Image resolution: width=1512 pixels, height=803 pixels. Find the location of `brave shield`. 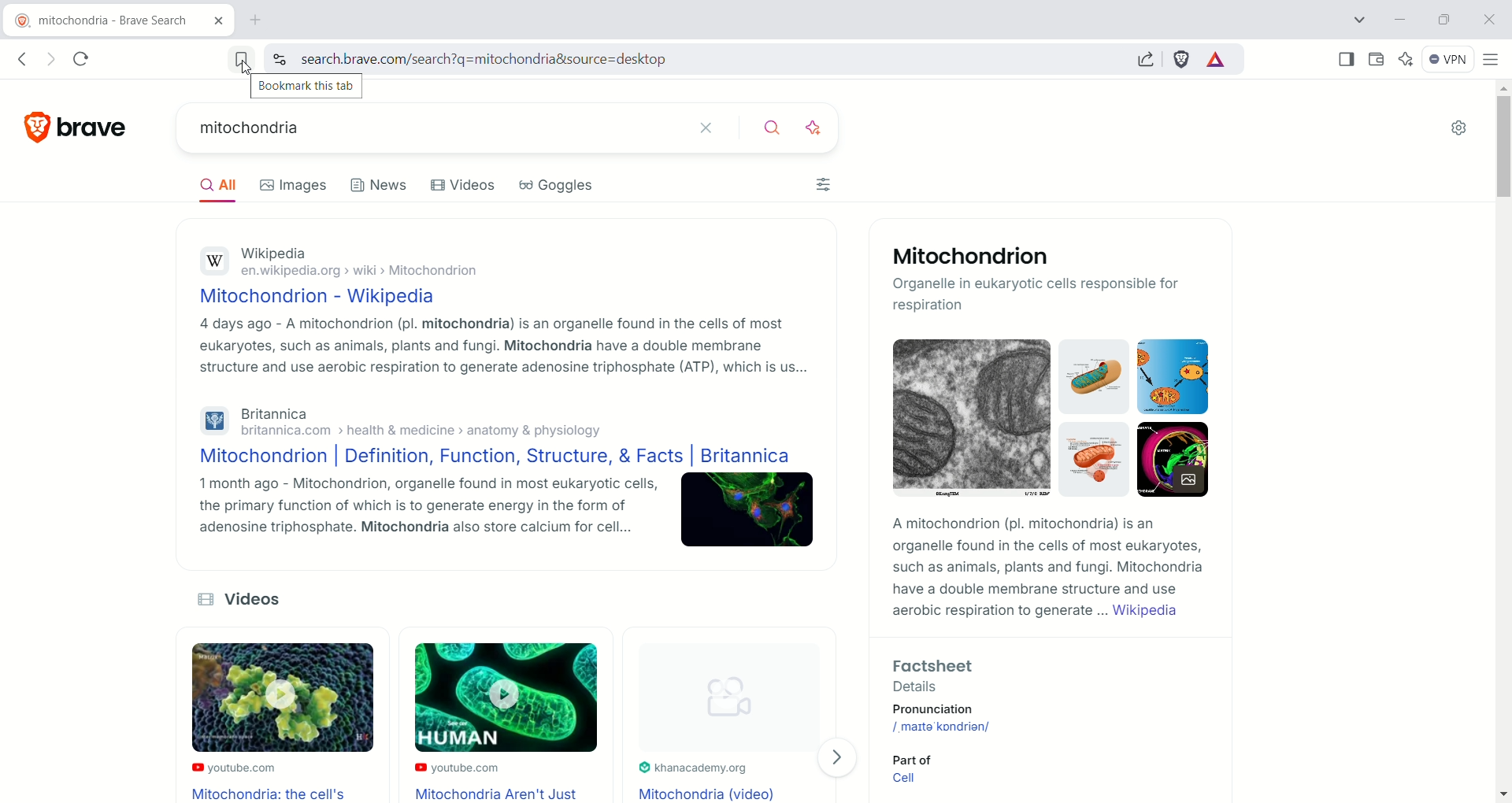

brave shield is located at coordinates (1183, 61).